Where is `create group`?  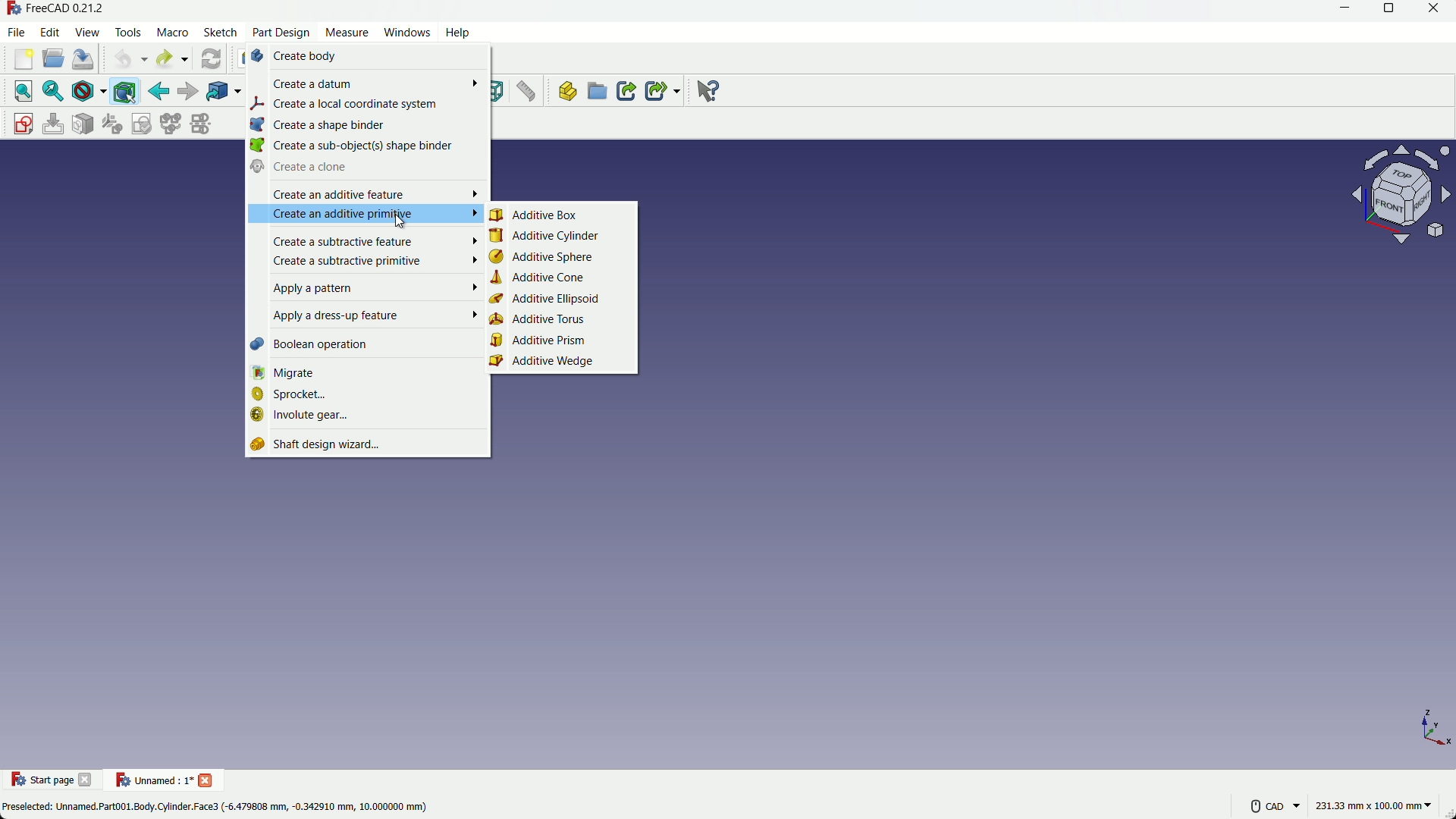
create group is located at coordinates (596, 93).